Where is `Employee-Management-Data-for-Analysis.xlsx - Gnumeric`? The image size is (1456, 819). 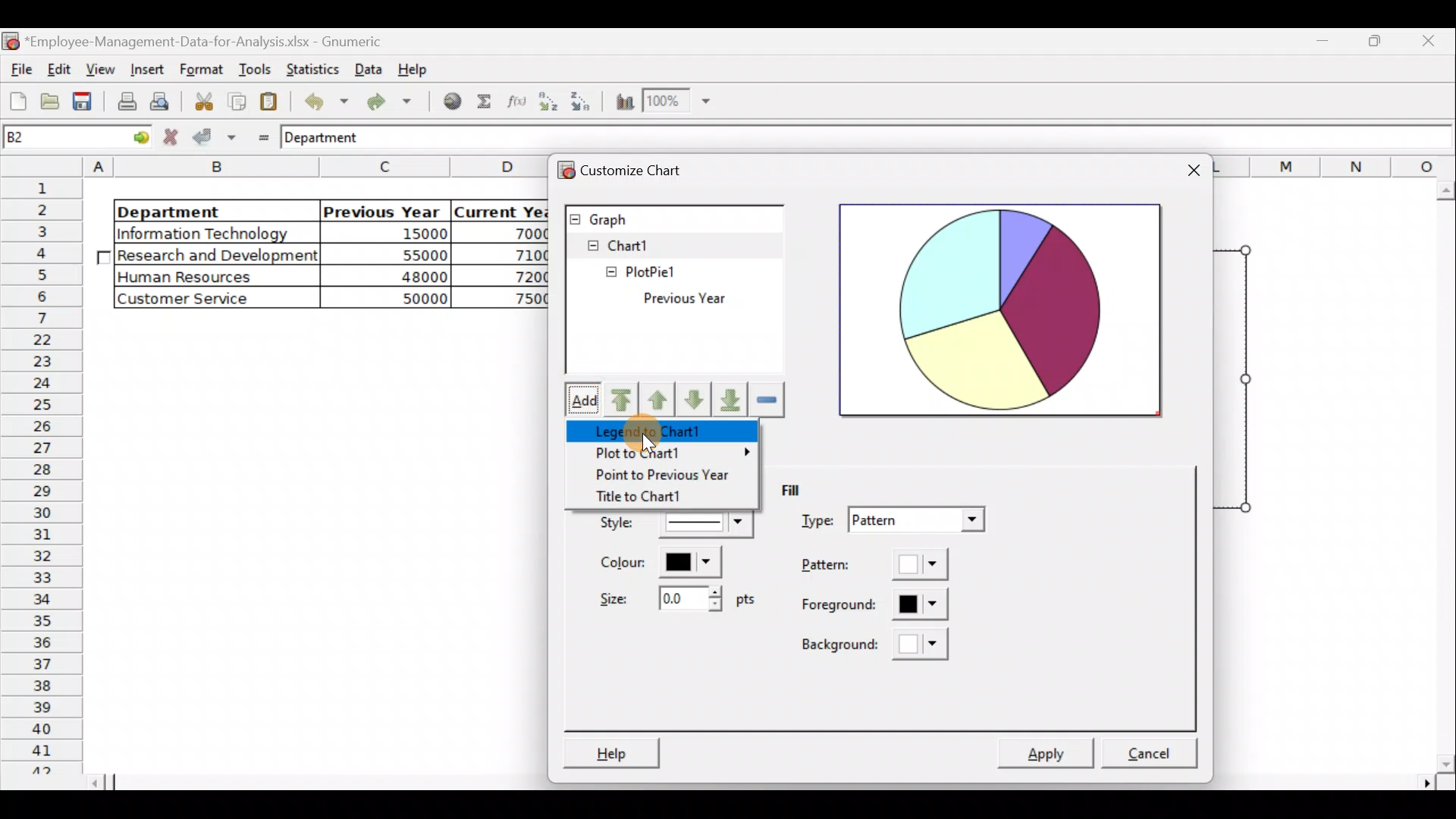 Employee-Management-Data-for-Analysis.xlsx - Gnumeric is located at coordinates (214, 40).